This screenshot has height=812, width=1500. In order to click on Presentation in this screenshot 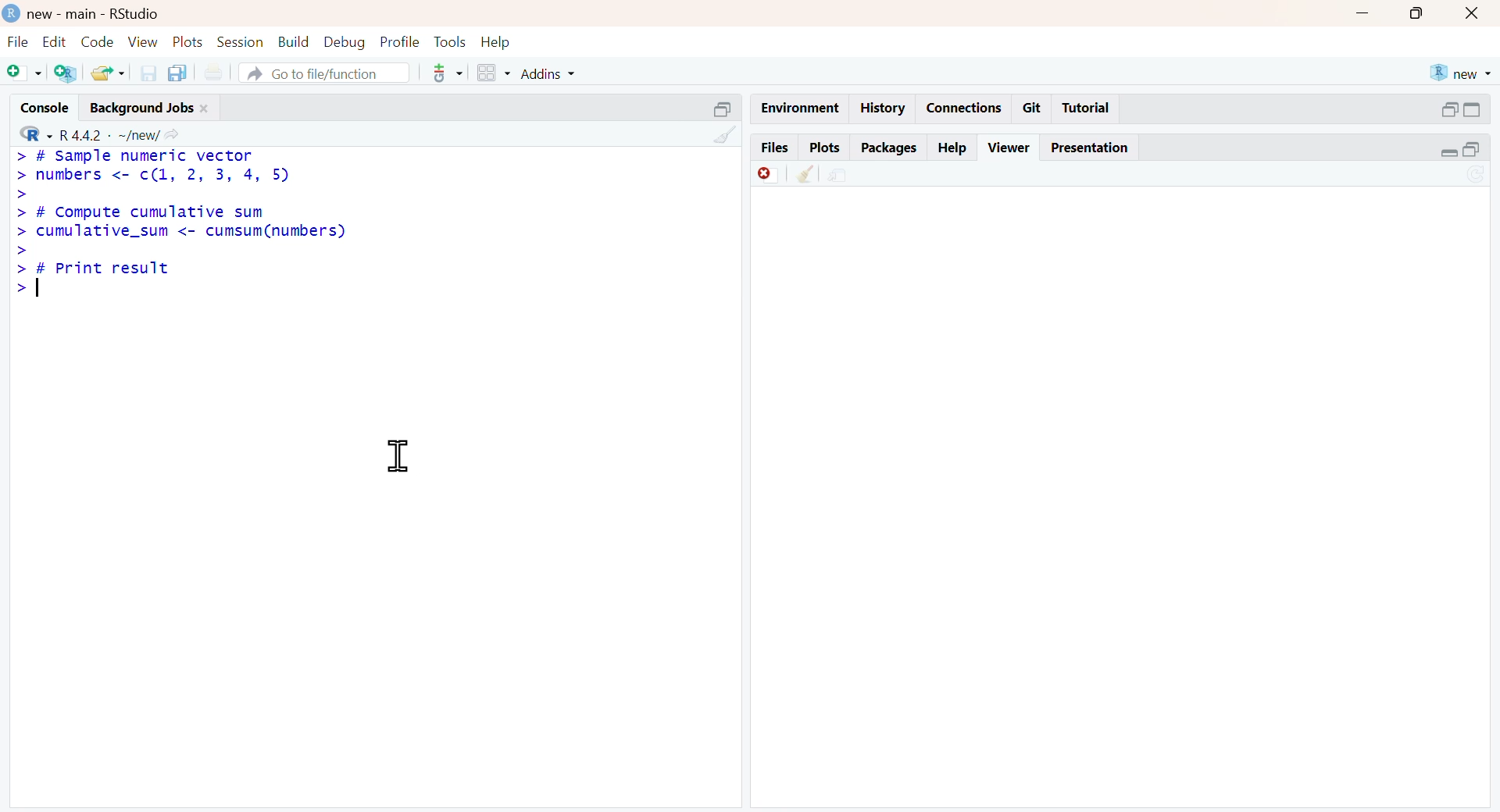, I will do `click(1090, 149)`.